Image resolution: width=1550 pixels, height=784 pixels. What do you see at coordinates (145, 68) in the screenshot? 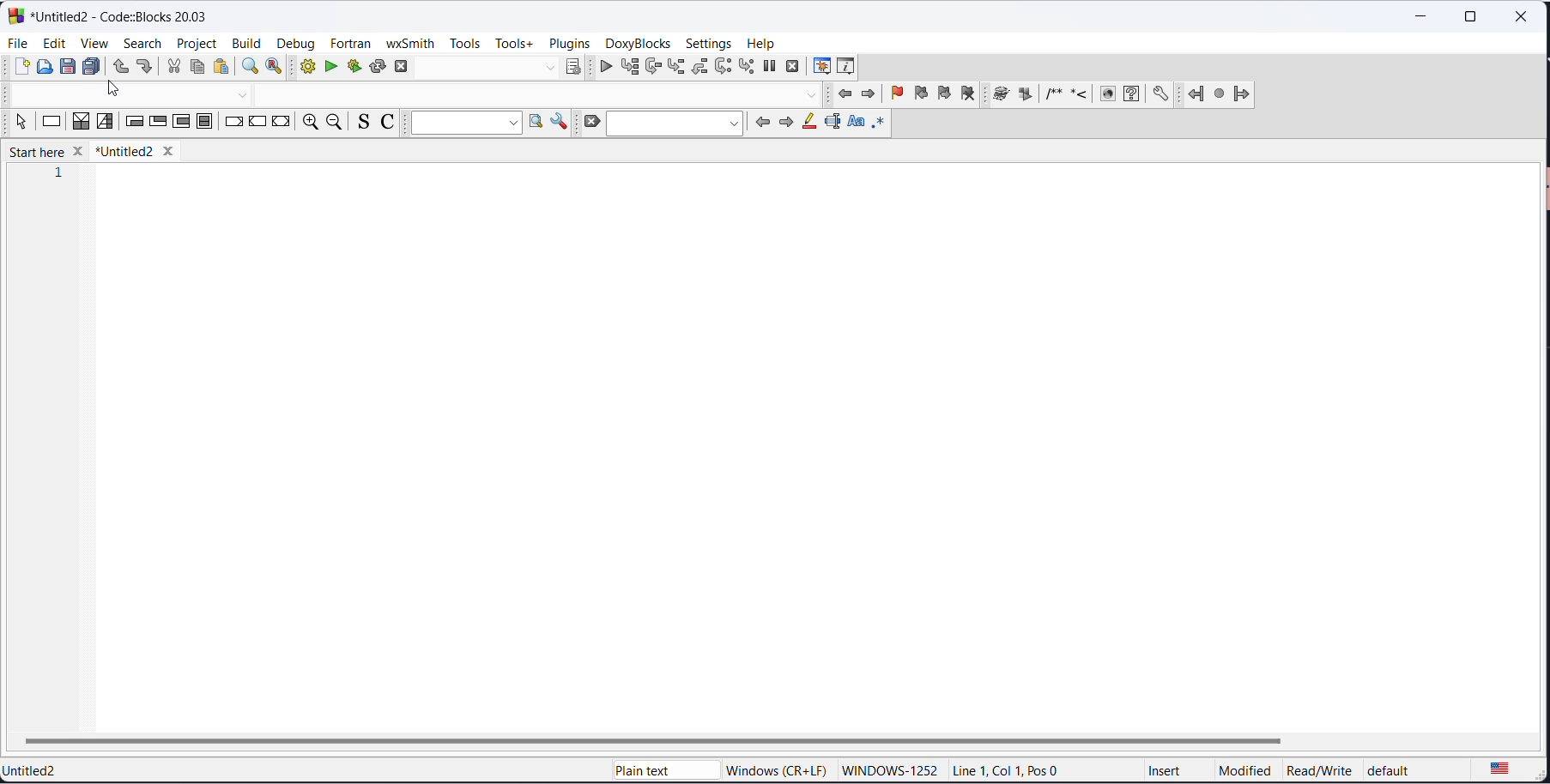
I see `redo` at bounding box center [145, 68].